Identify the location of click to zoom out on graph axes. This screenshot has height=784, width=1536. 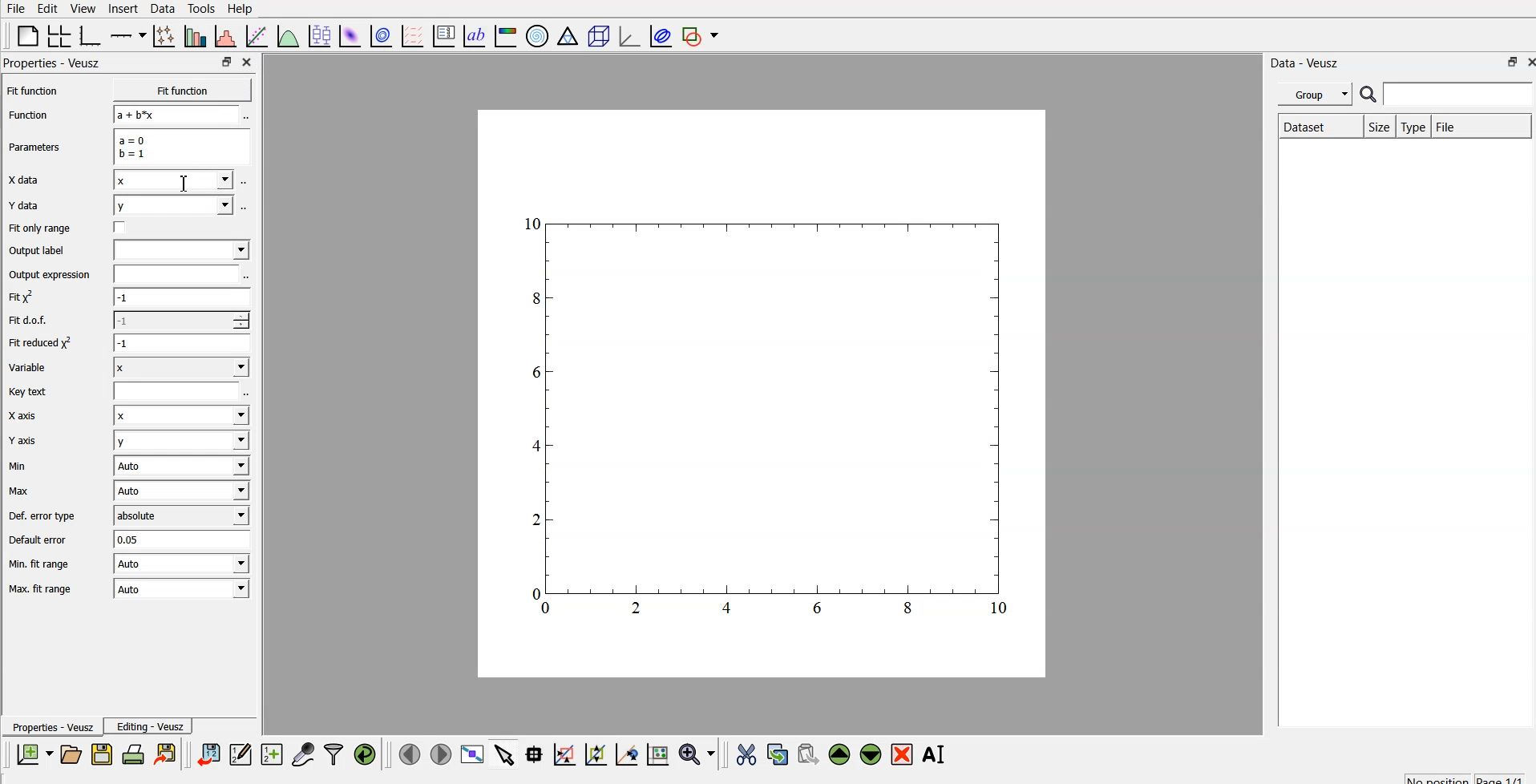
(596, 754).